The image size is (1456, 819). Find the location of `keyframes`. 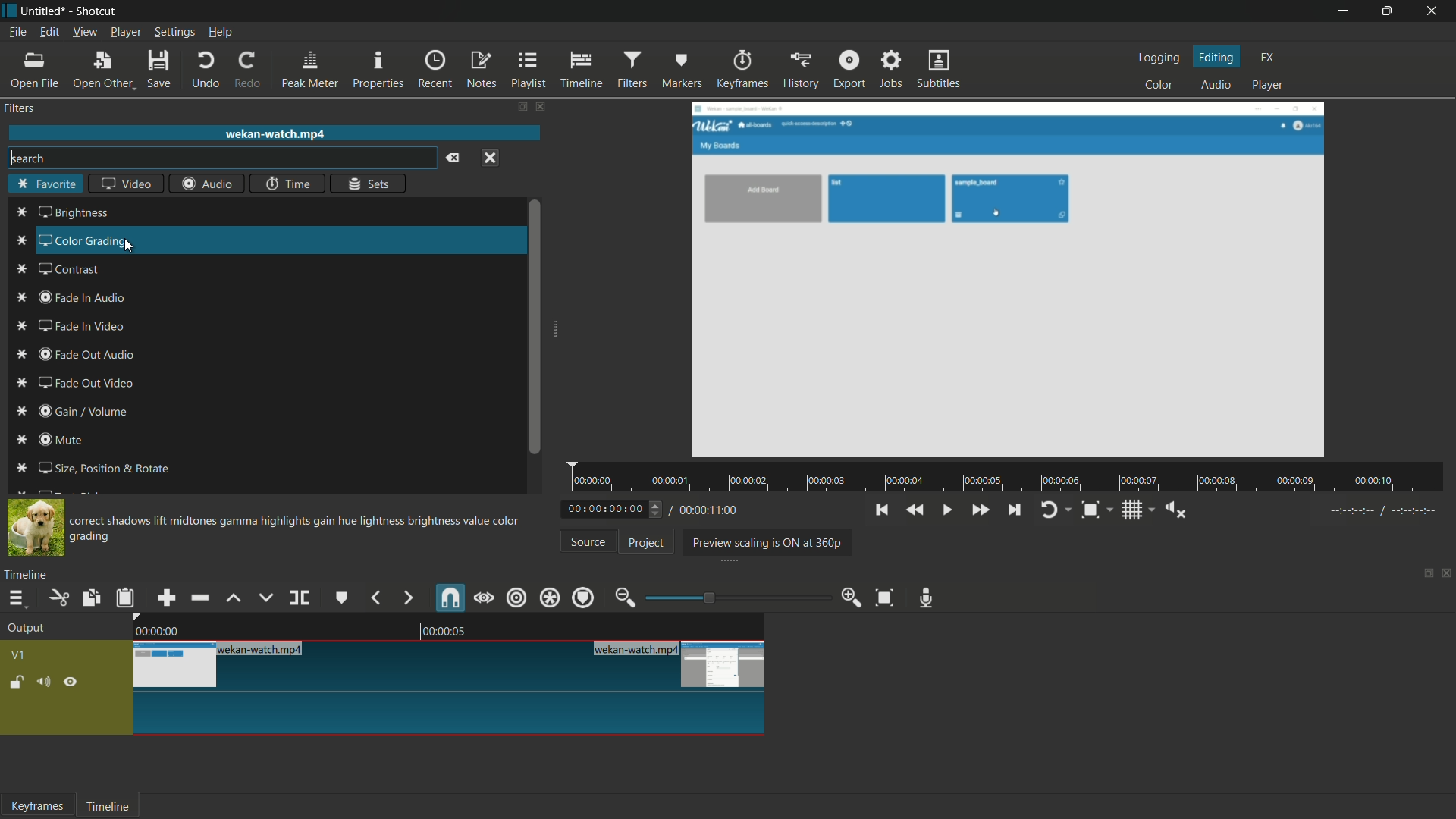

keyframes is located at coordinates (38, 806).